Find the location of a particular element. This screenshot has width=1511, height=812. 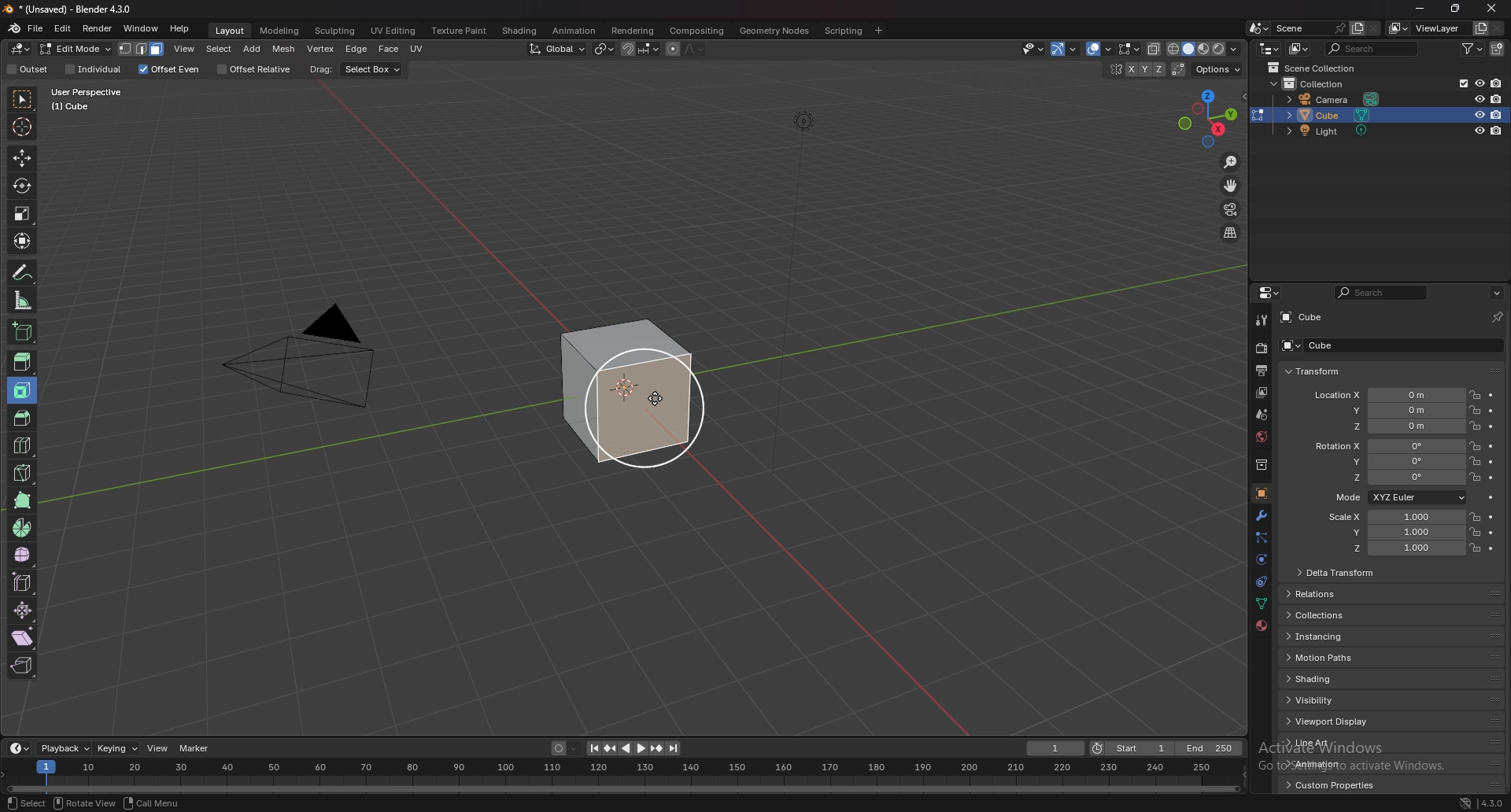

measure is located at coordinates (24, 300).